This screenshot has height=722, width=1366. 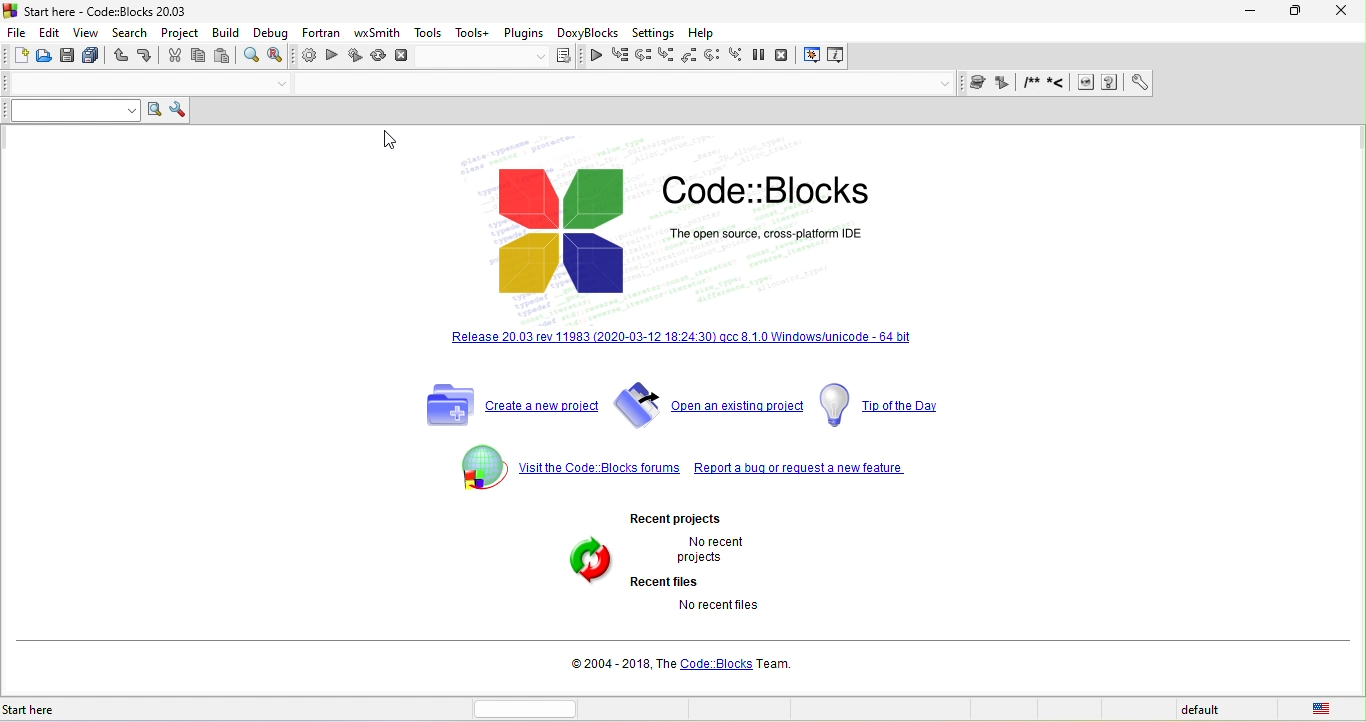 I want to click on horizontal scroll bar, so click(x=529, y=708).